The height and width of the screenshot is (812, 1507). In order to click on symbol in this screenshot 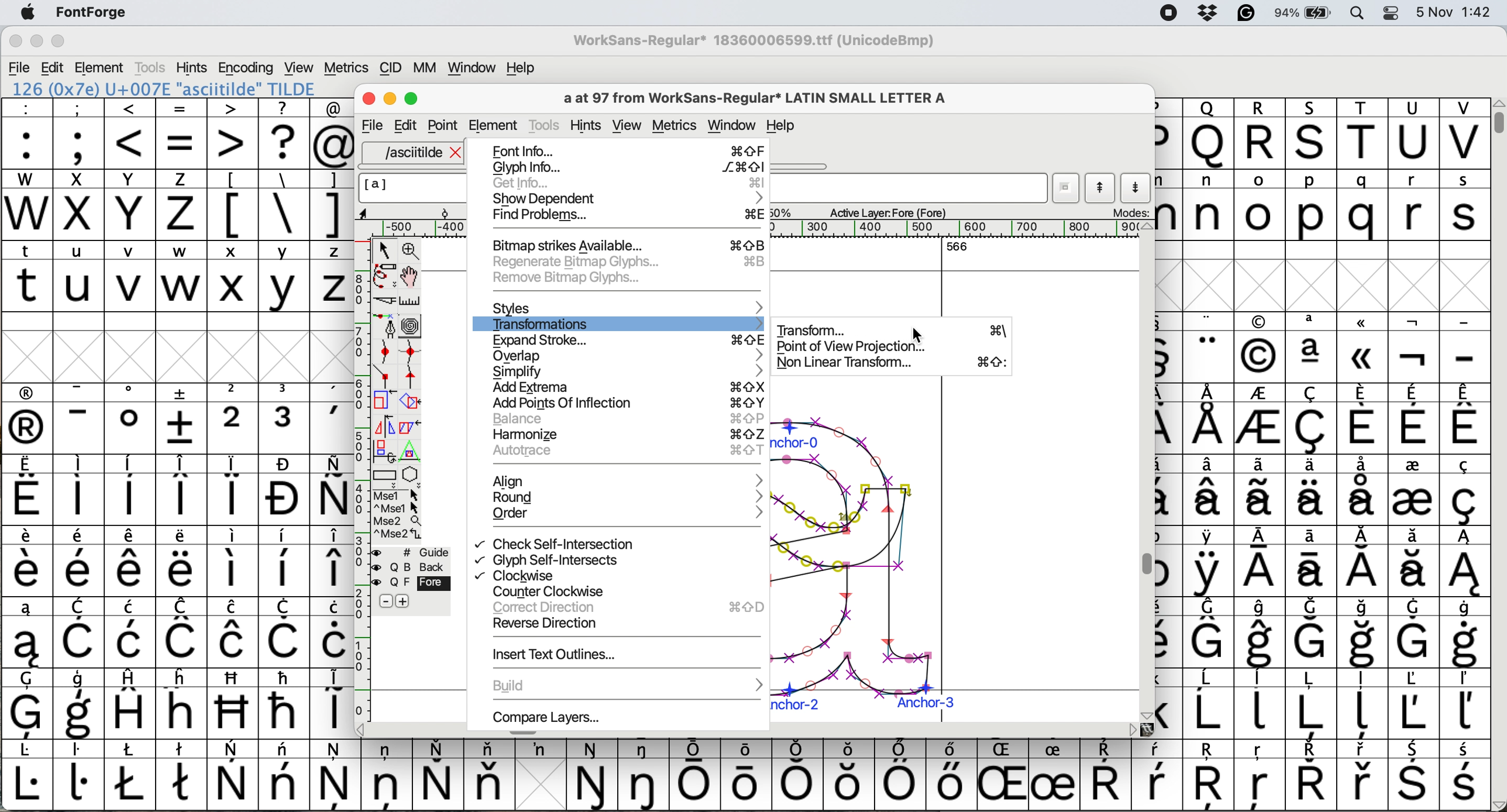, I will do `click(1157, 775)`.